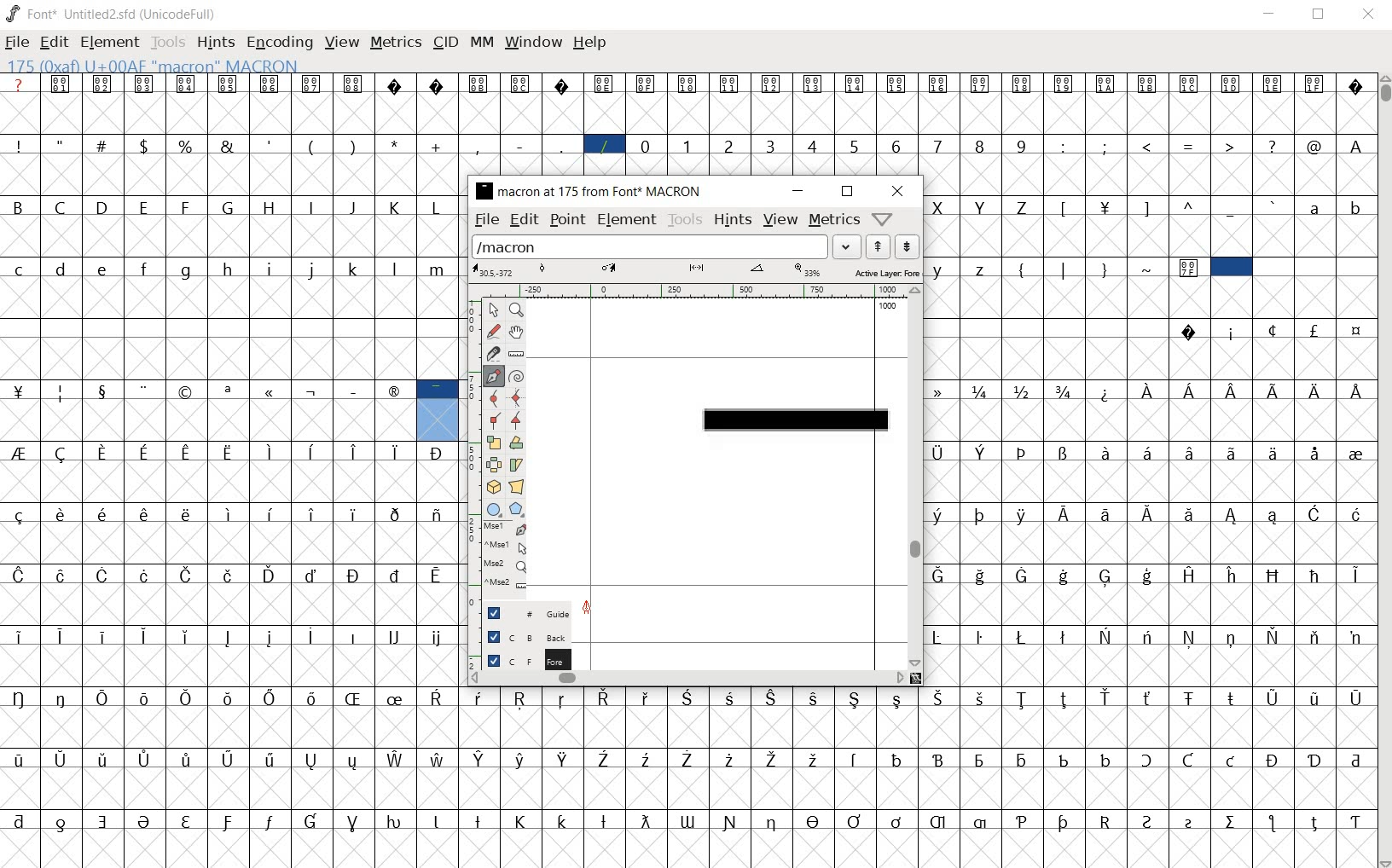  Describe the element at coordinates (815, 758) in the screenshot. I see `Symbol` at that location.